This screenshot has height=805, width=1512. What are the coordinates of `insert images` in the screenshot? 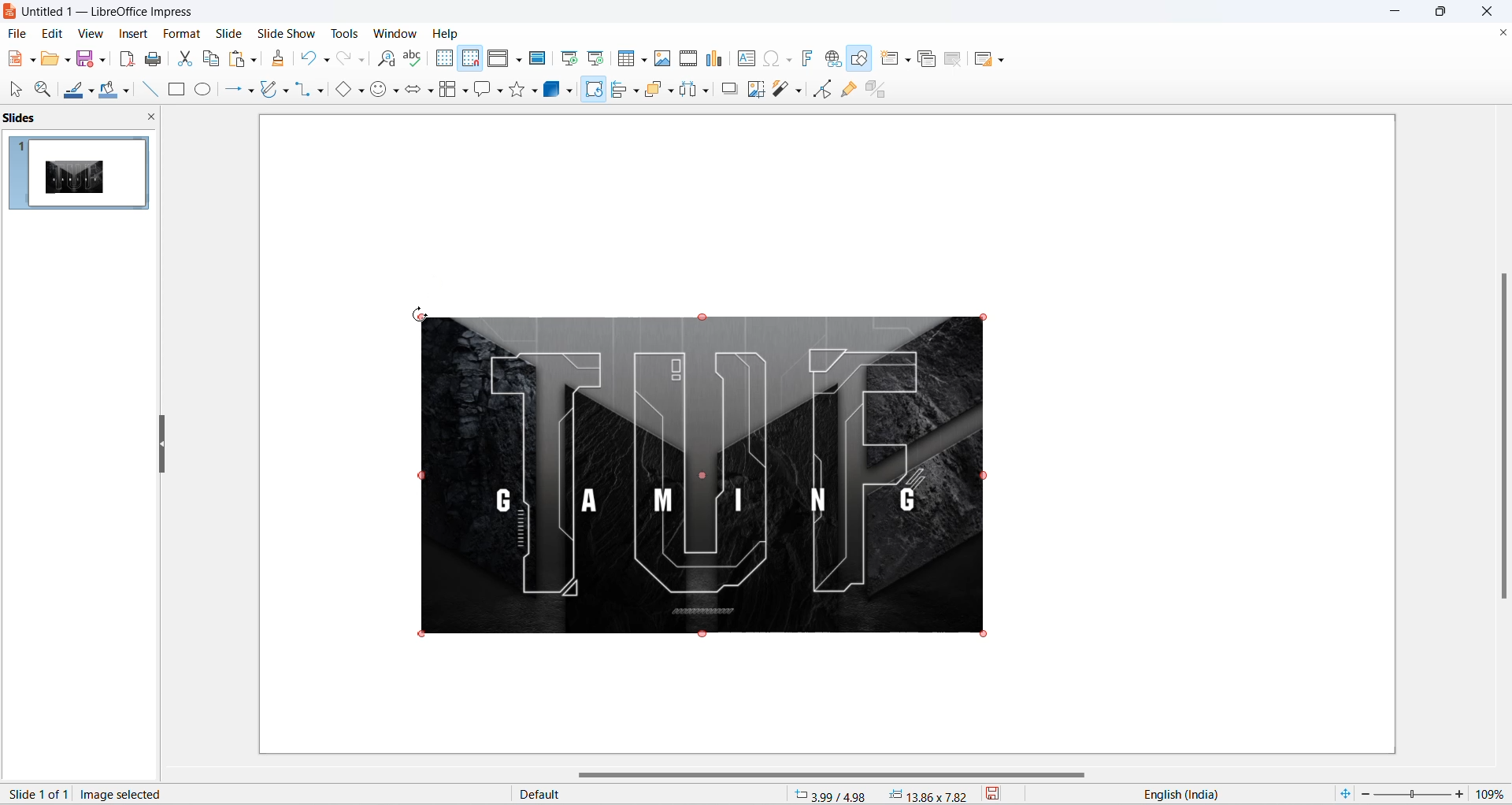 It's located at (663, 58).